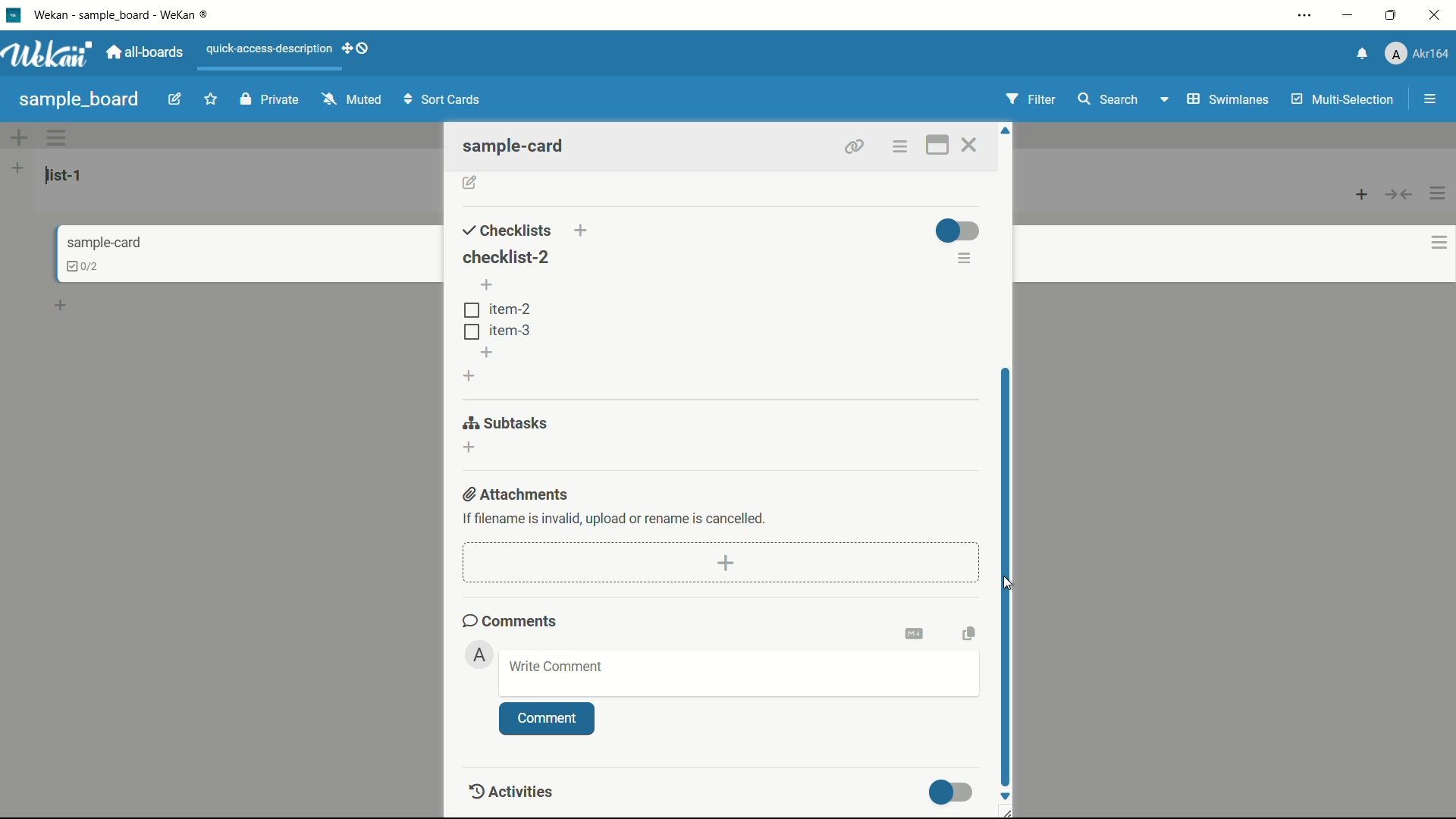  What do you see at coordinates (1005, 585) in the screenshot?
I see `cursor` at bounding box center [1005, 585].